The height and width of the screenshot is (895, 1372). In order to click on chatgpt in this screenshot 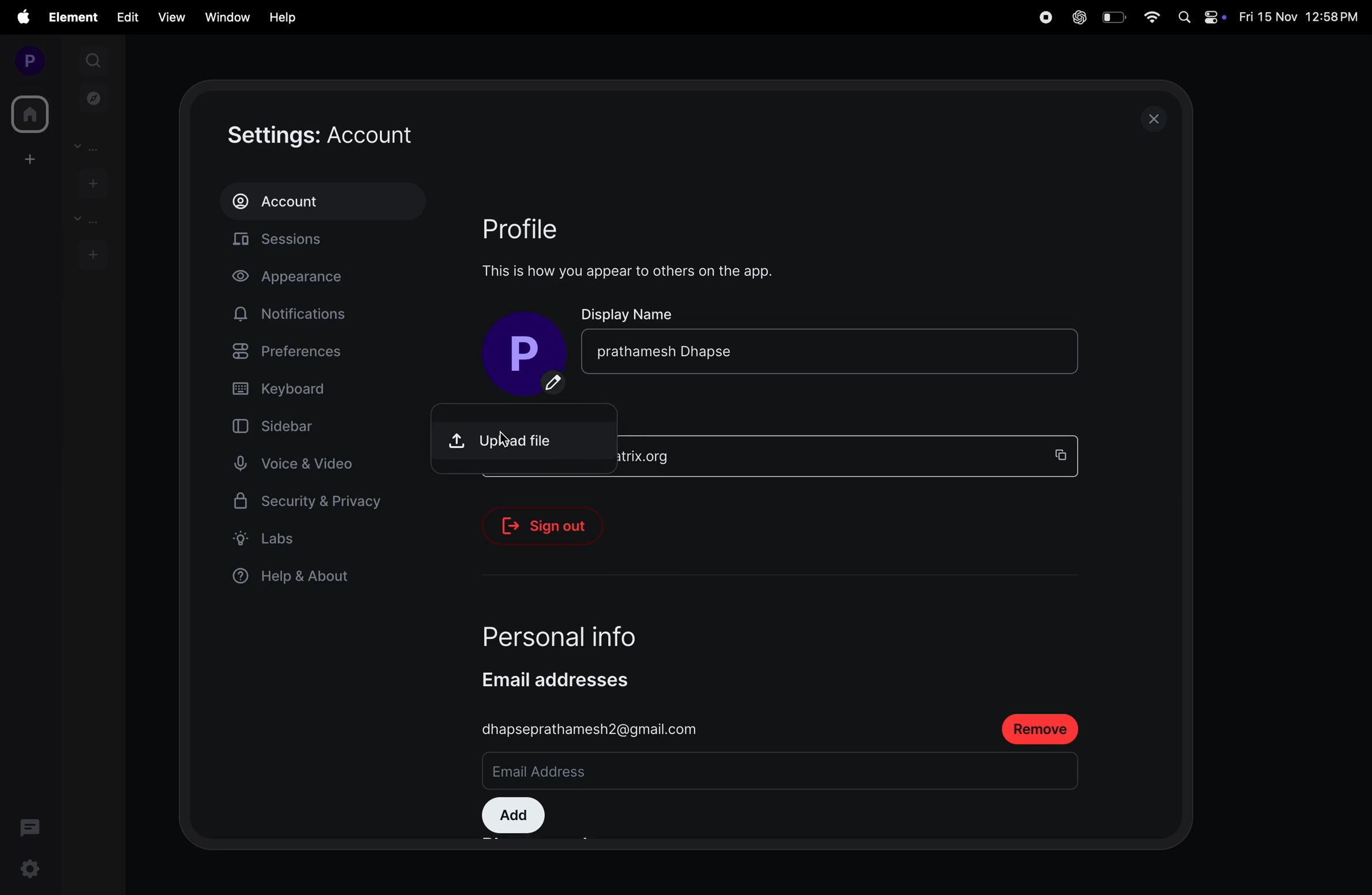, I will do `click(1077, 18)`.